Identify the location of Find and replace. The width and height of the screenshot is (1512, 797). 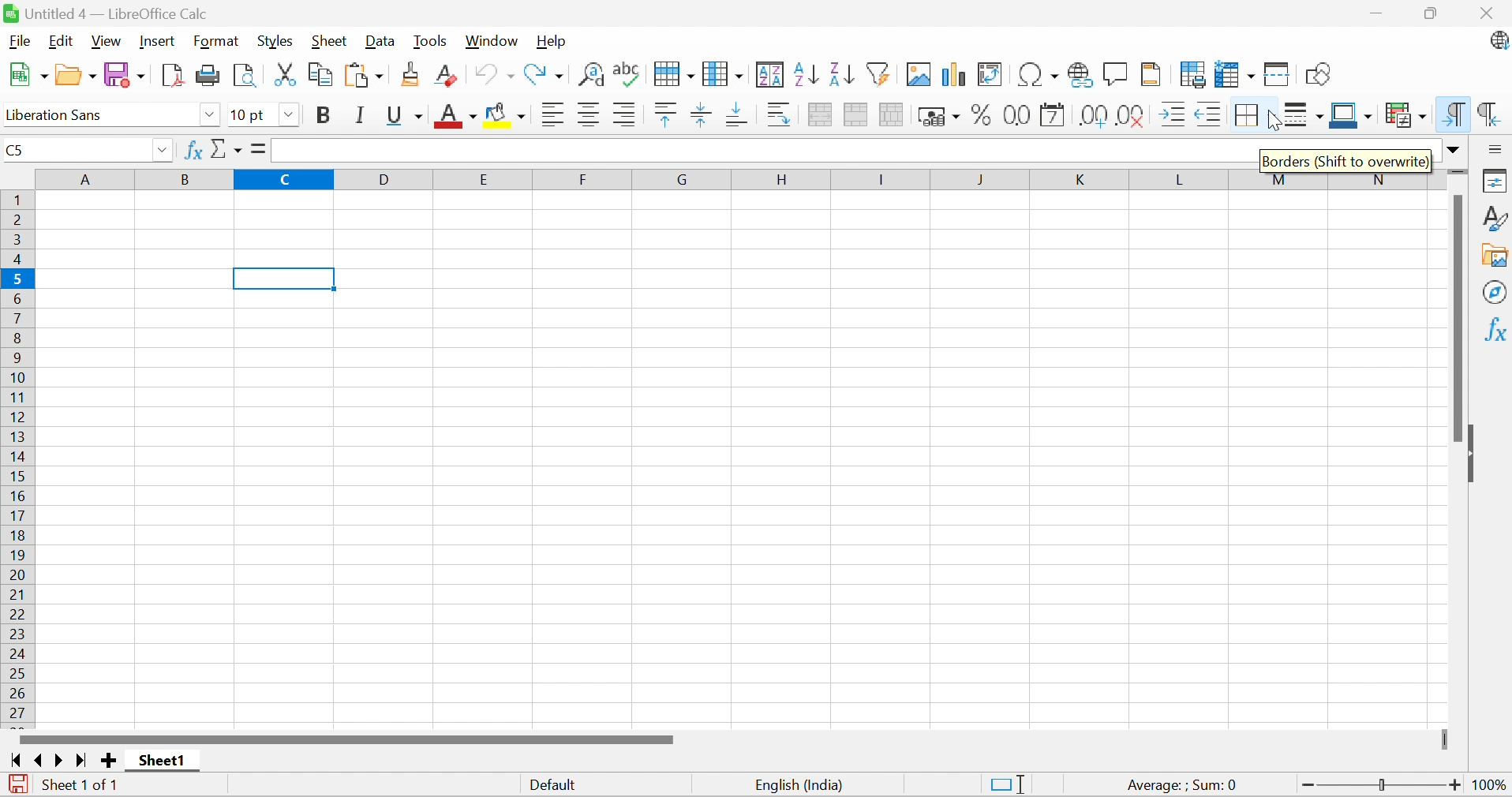
(593, 76).